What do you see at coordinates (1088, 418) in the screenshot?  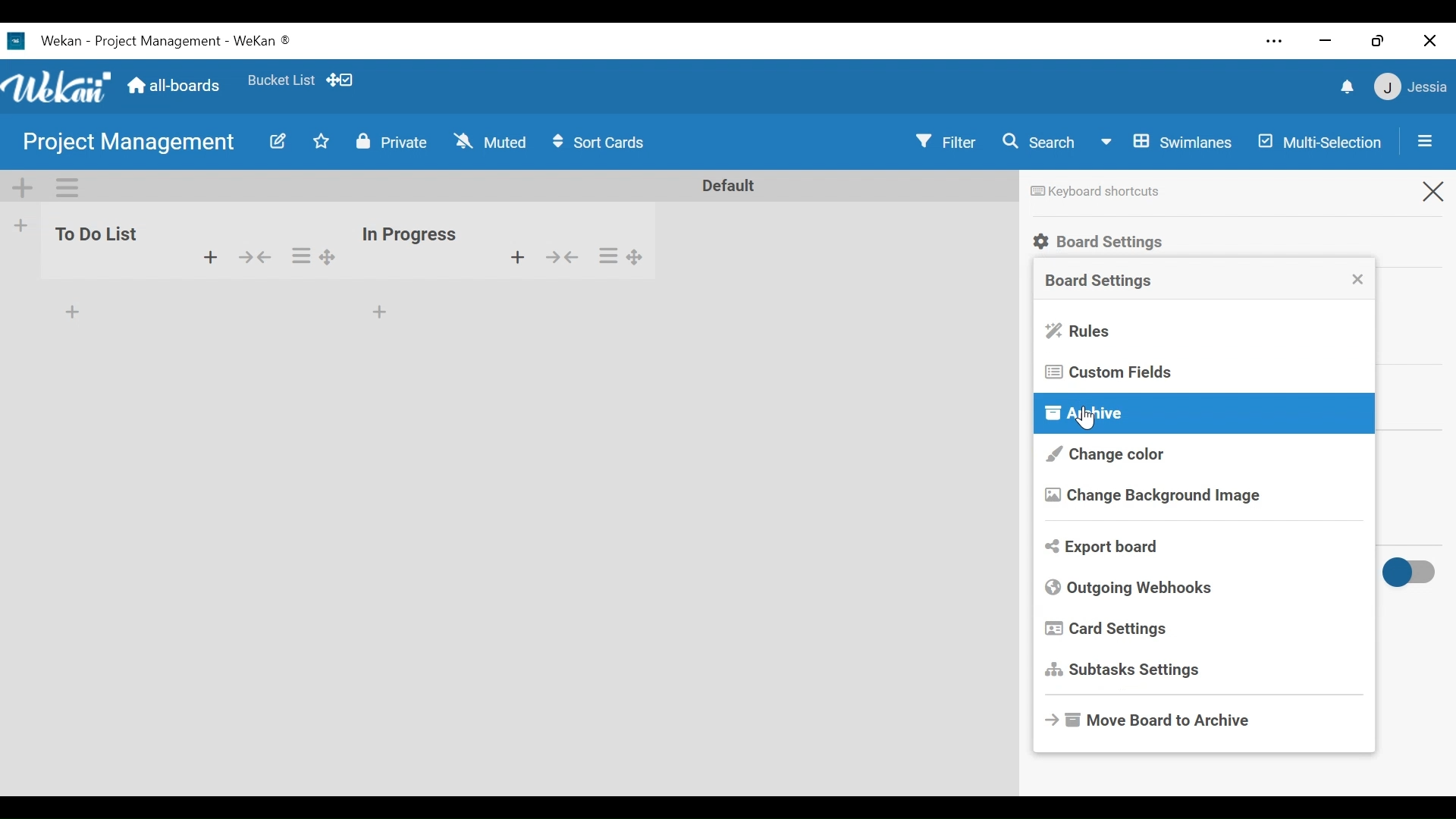 I see `Cursor` at bounding box center [1088, 418].